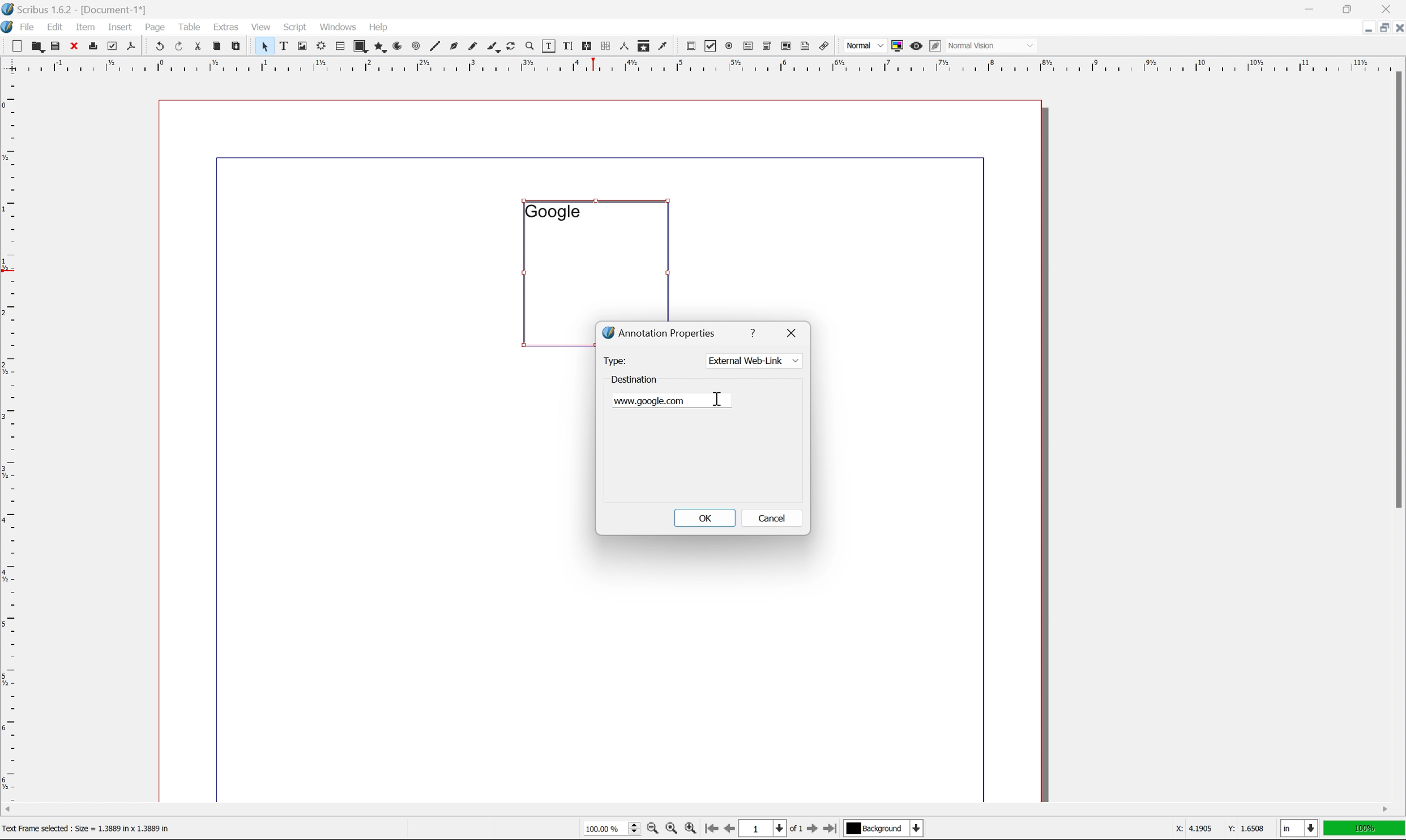  What do you see at coordinates (708, 47) in the screenshot?
I see `pdf checkbox` at bounding box center [708, 47].